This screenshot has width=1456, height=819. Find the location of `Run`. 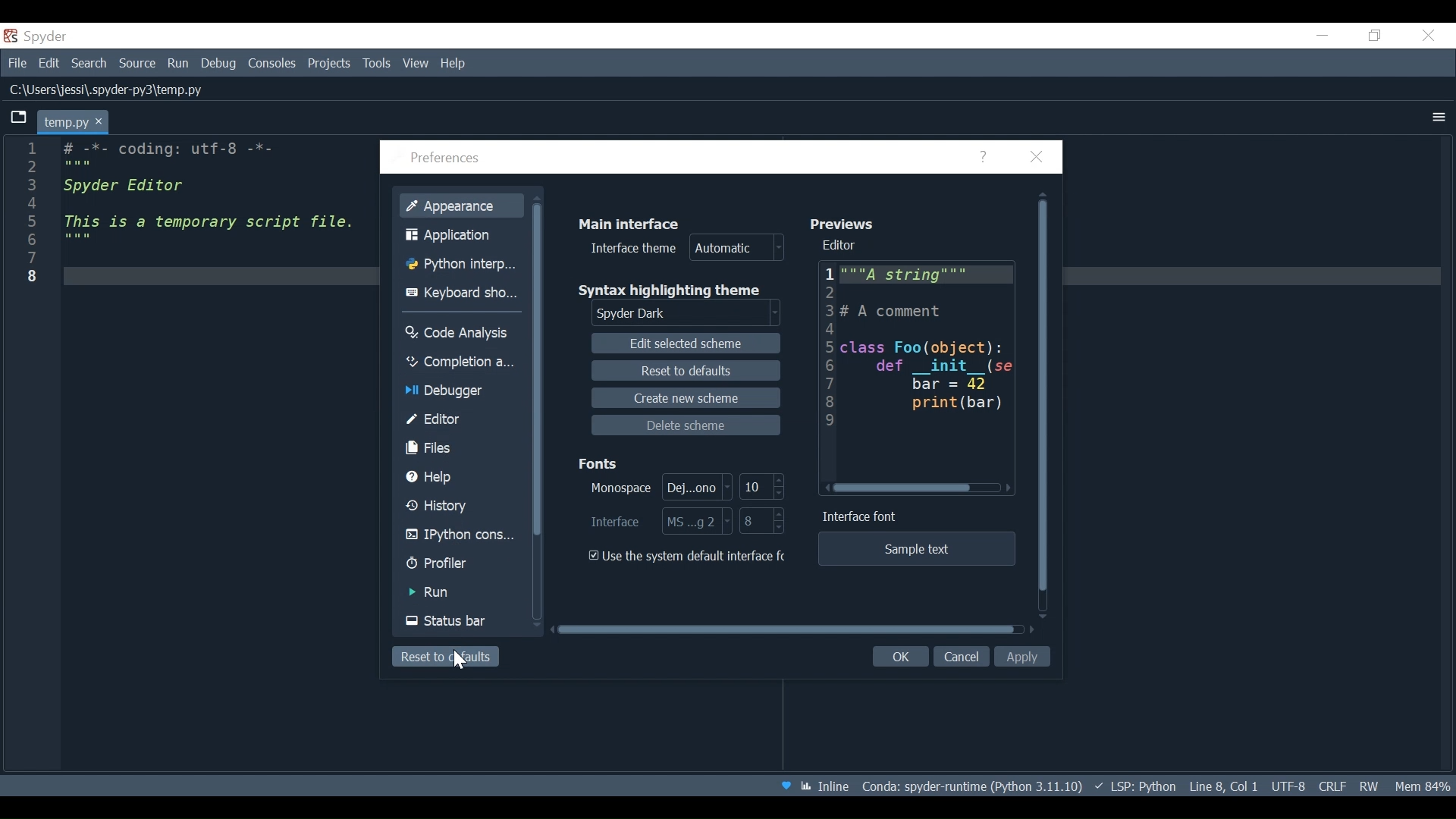

Run is located at coordinates (180, 64).